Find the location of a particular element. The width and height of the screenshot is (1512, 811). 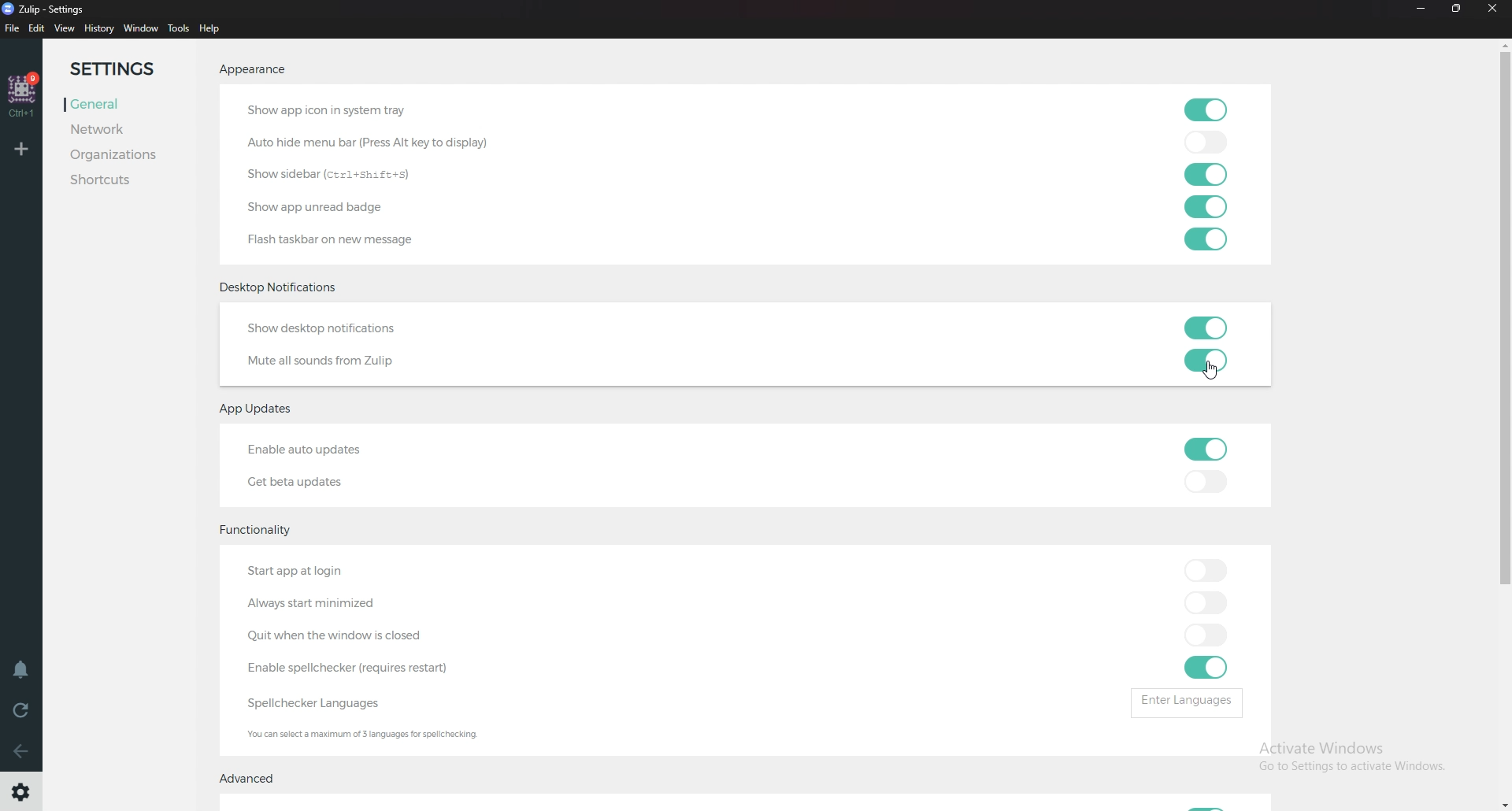

General is located at coordinates (114, 105).